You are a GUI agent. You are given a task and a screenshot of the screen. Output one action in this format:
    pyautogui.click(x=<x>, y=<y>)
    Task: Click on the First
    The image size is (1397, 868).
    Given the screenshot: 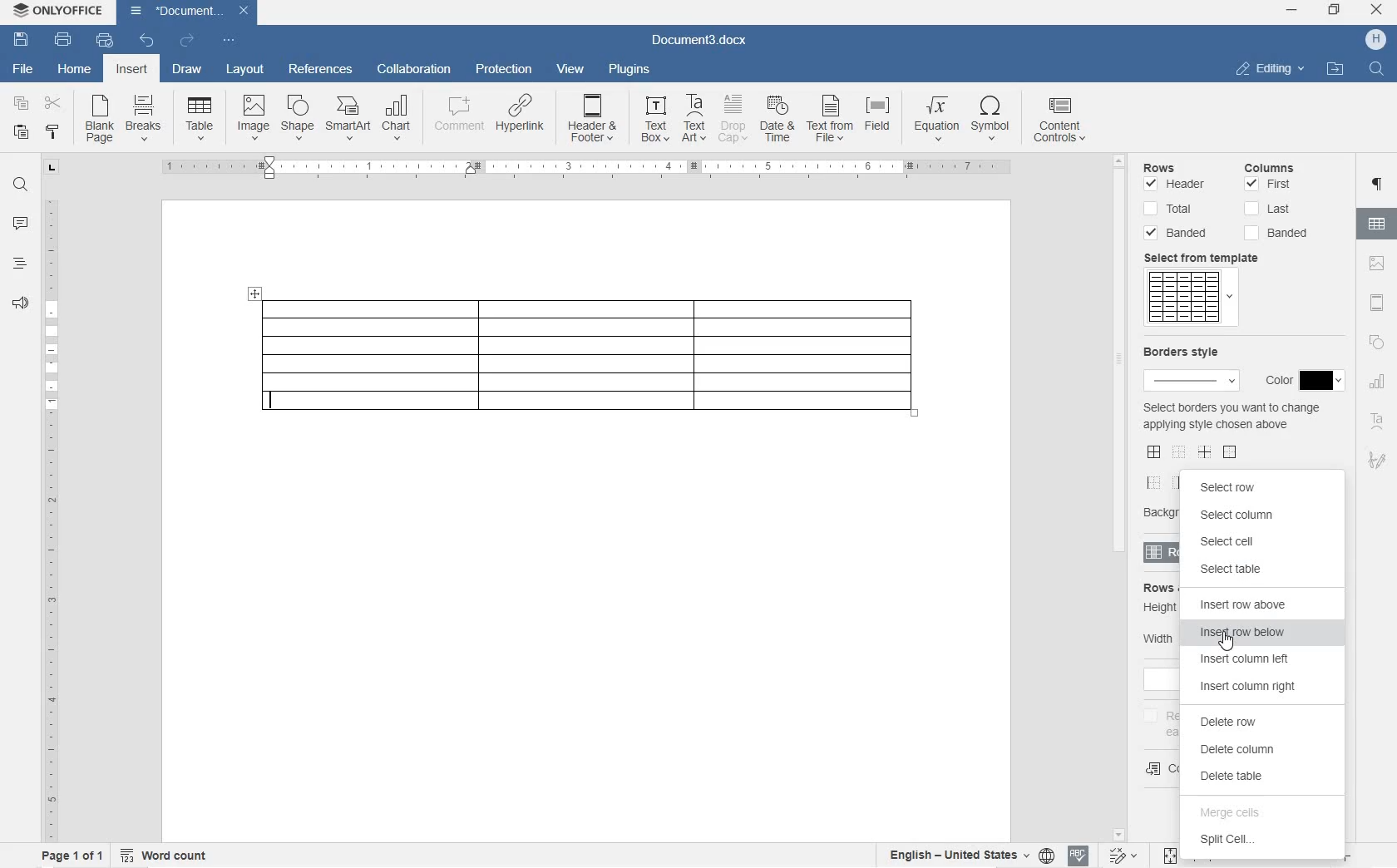 What is the action you would take?
    pyautogui.click(x=1268, y=185)
    